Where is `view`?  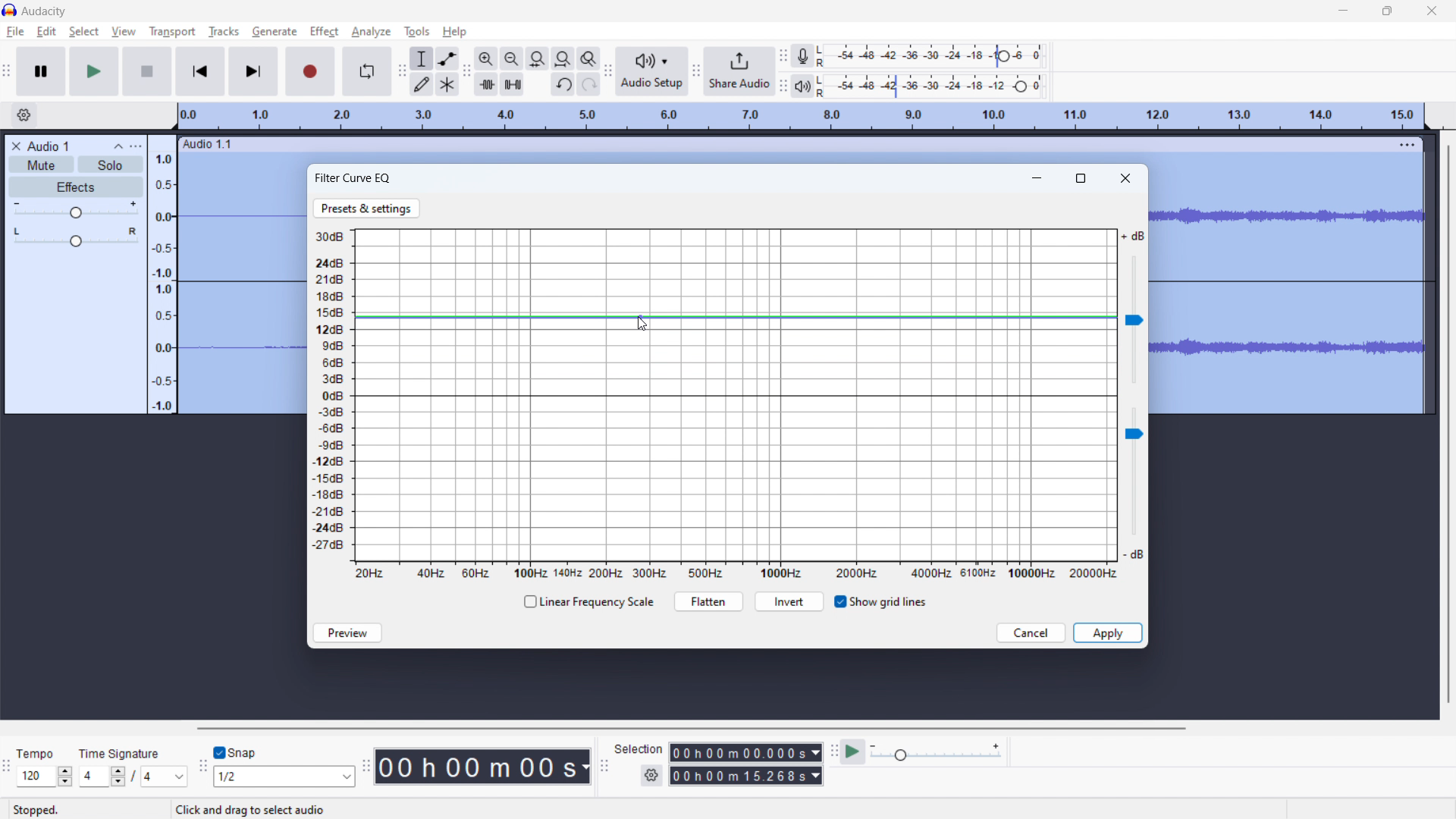 view is located at coordinates (124, 31).